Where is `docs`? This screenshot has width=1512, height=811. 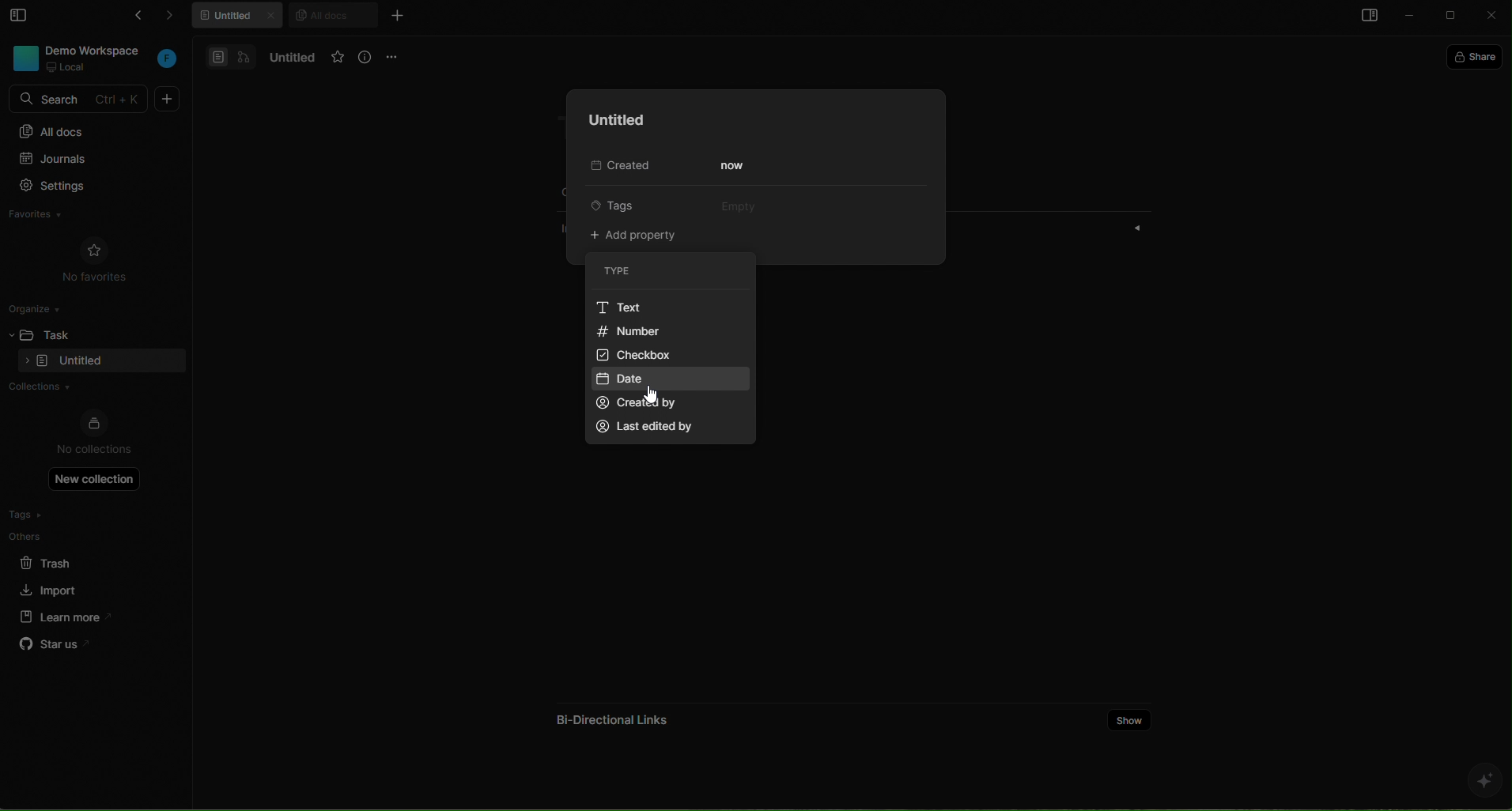
docs is located at coordinates (231, 56).